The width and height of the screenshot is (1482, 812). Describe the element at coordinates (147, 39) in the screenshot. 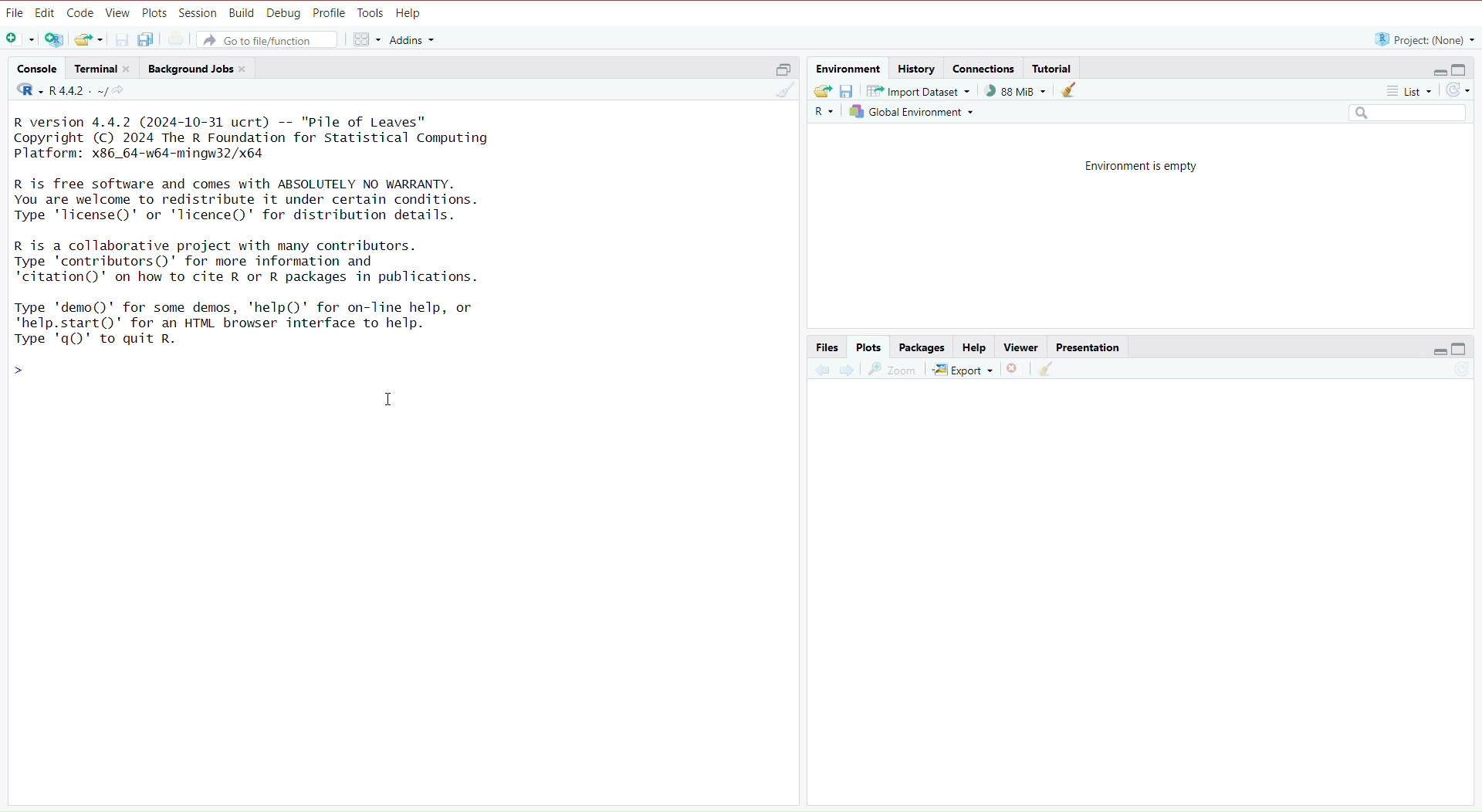

I see `save all open document` at that location.